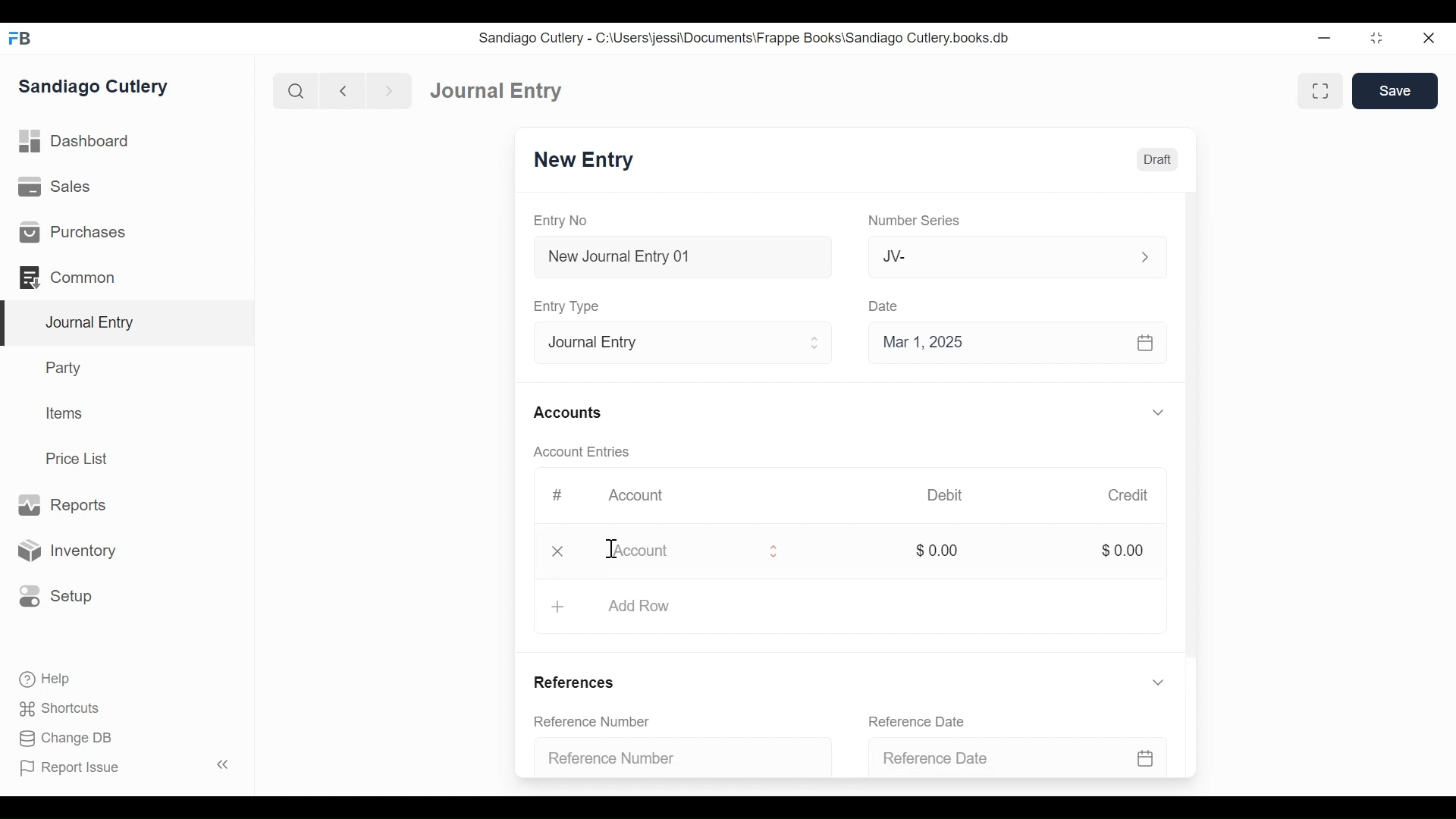 The width and height of the screenshot is (1456, 819). What do you see at coordinates (1122, 551) in the screenshot?
I see `$0.00` at bounding box center [1122, 551].